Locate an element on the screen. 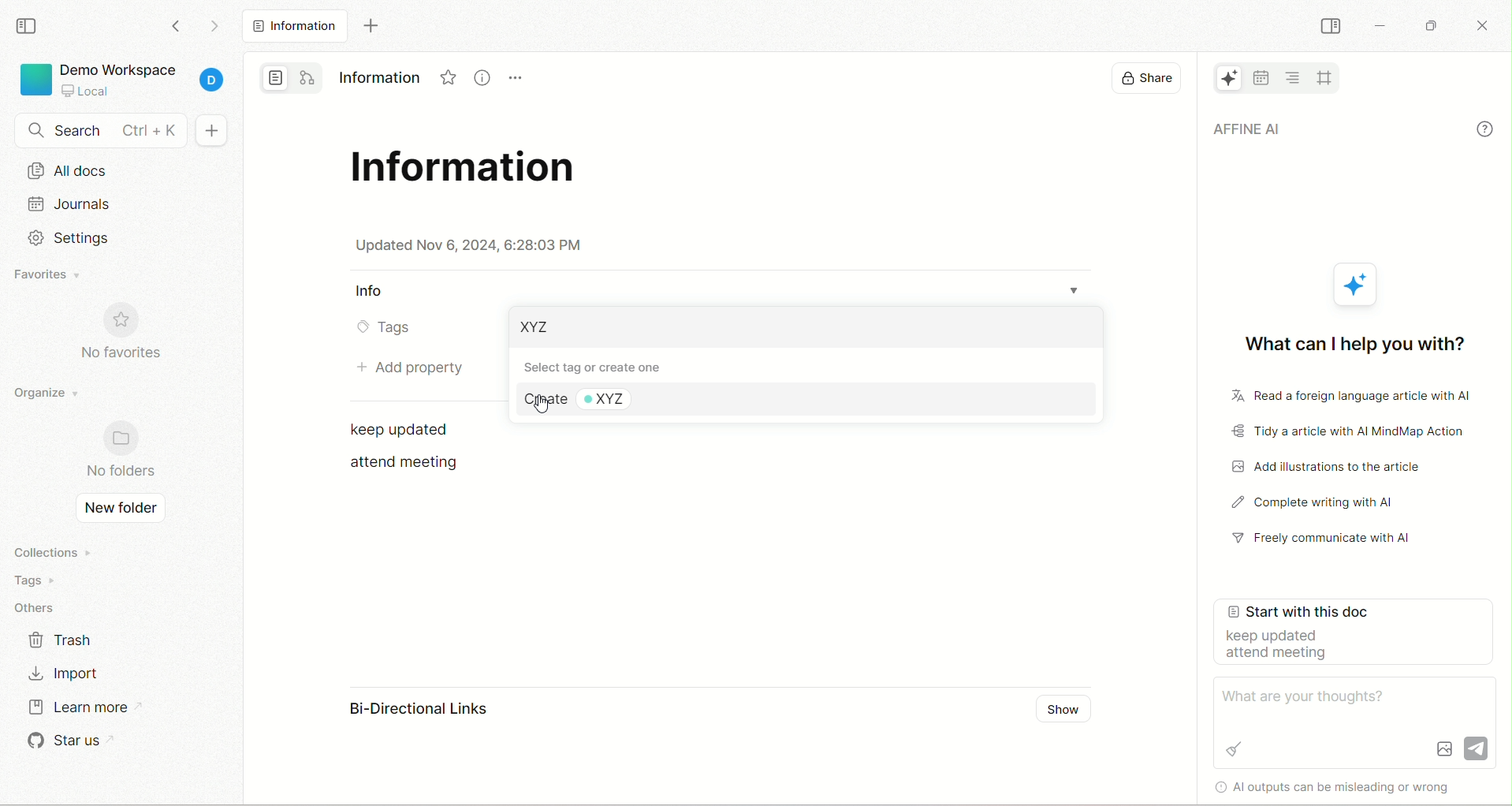  info is located at coordinates (1485, 129).